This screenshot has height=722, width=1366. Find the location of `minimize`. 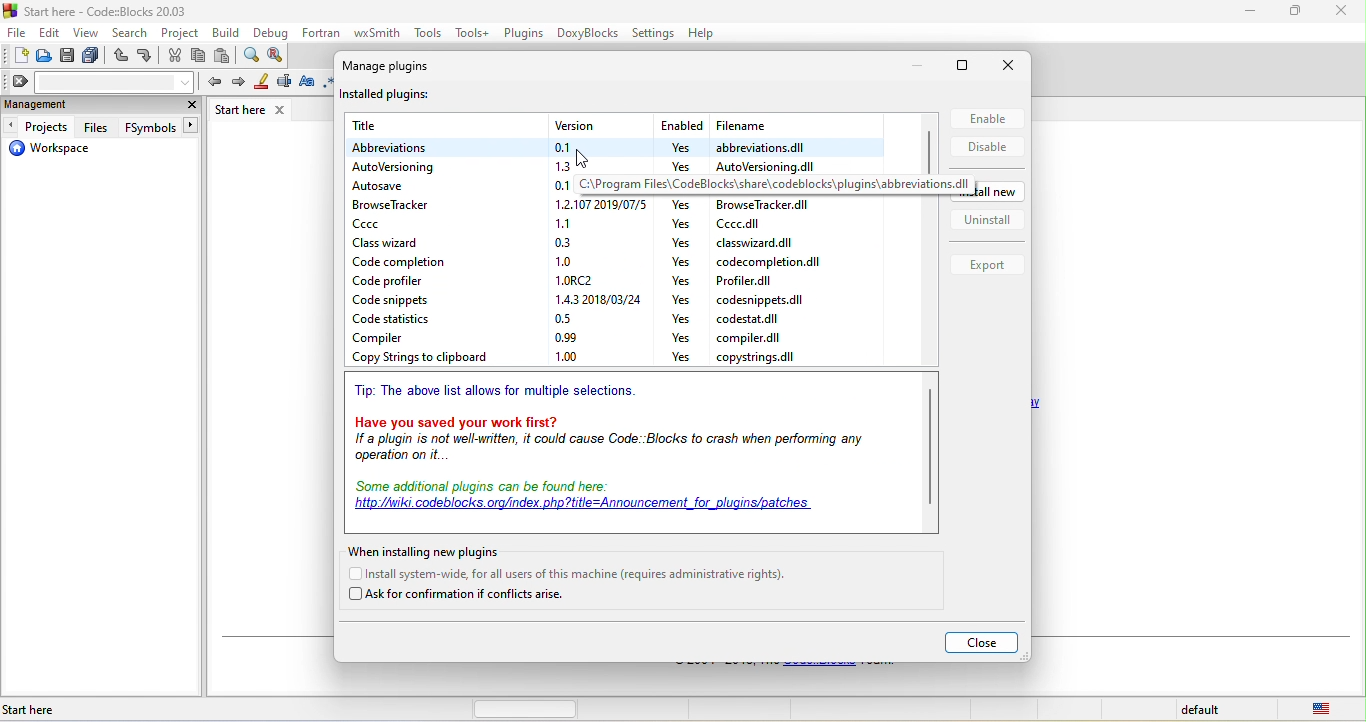

minimize is located at coordinates (1295, 14).